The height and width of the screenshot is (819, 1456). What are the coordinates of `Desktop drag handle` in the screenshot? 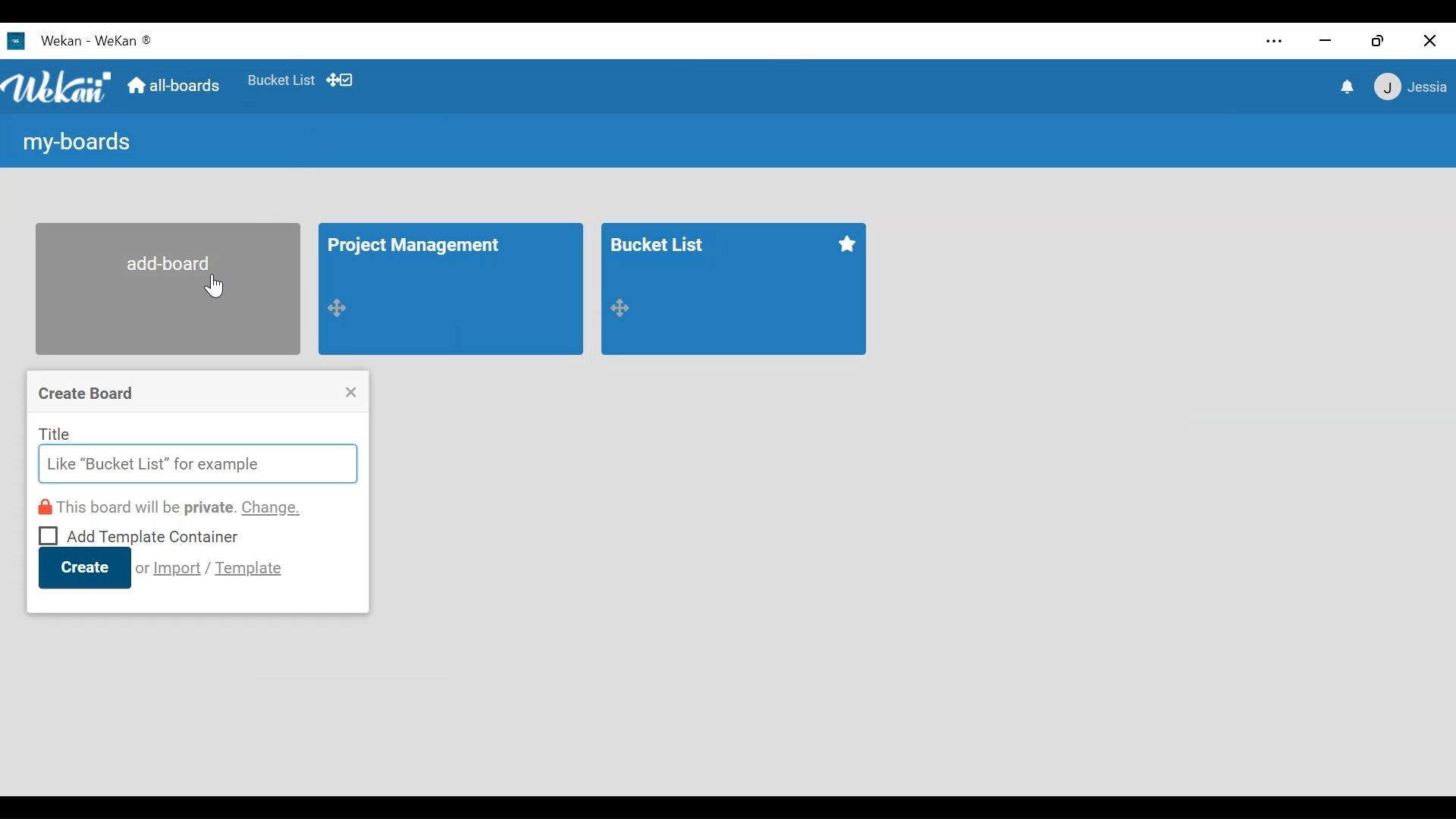 It's located at (620, 308).